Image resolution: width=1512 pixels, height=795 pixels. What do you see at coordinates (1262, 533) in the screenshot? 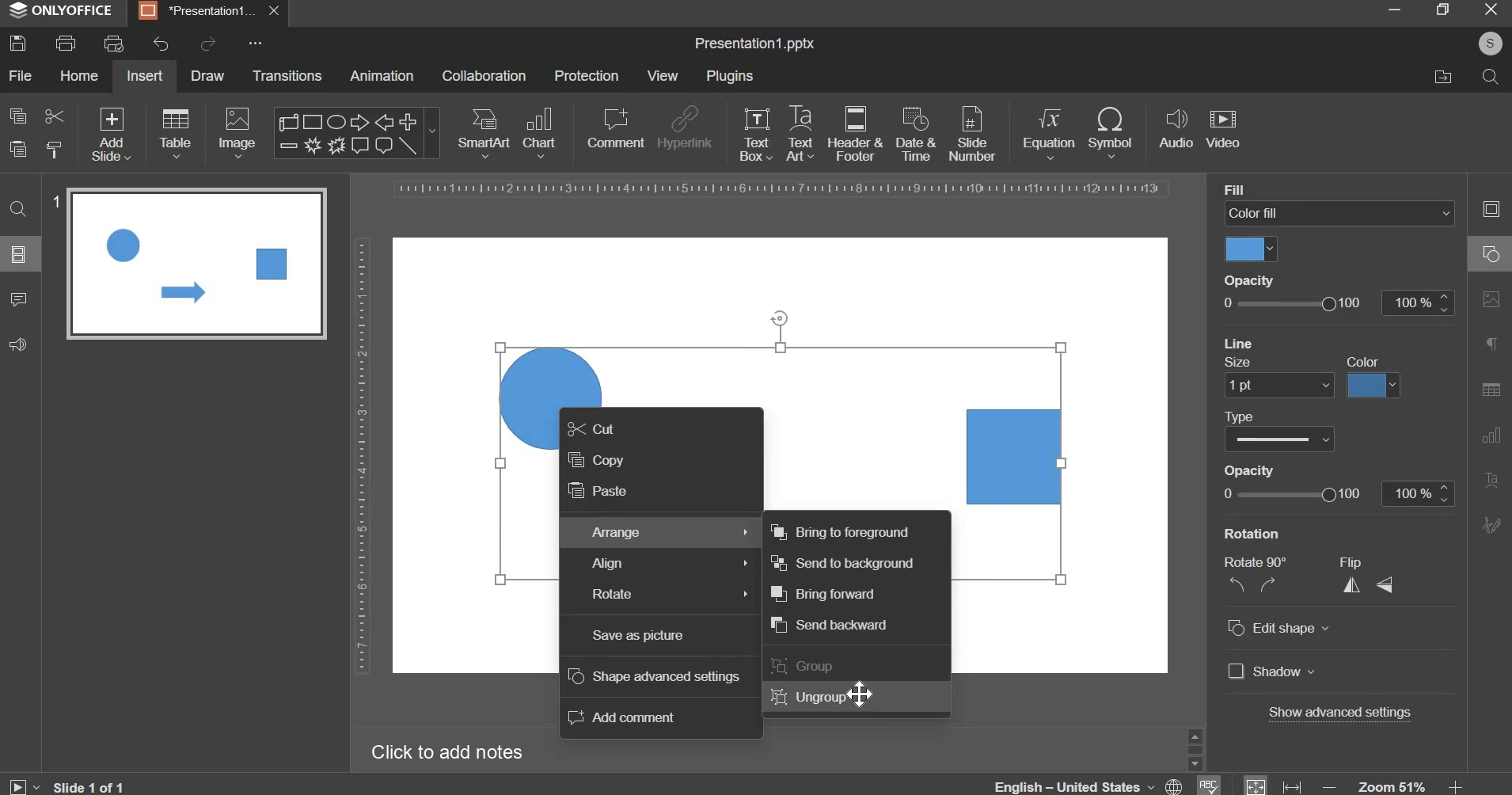
I see `Rotation` at bounding box center [1262, 533].